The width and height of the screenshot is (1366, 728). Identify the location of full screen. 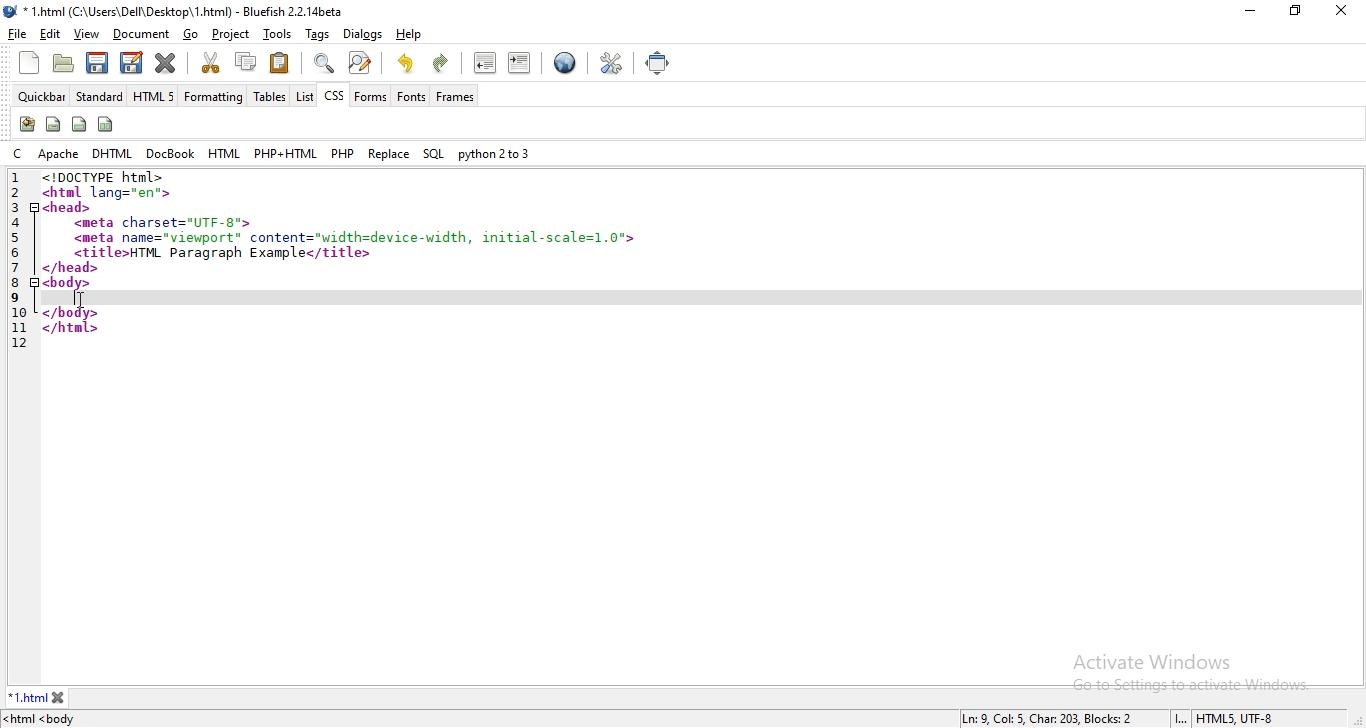
(659, 61).